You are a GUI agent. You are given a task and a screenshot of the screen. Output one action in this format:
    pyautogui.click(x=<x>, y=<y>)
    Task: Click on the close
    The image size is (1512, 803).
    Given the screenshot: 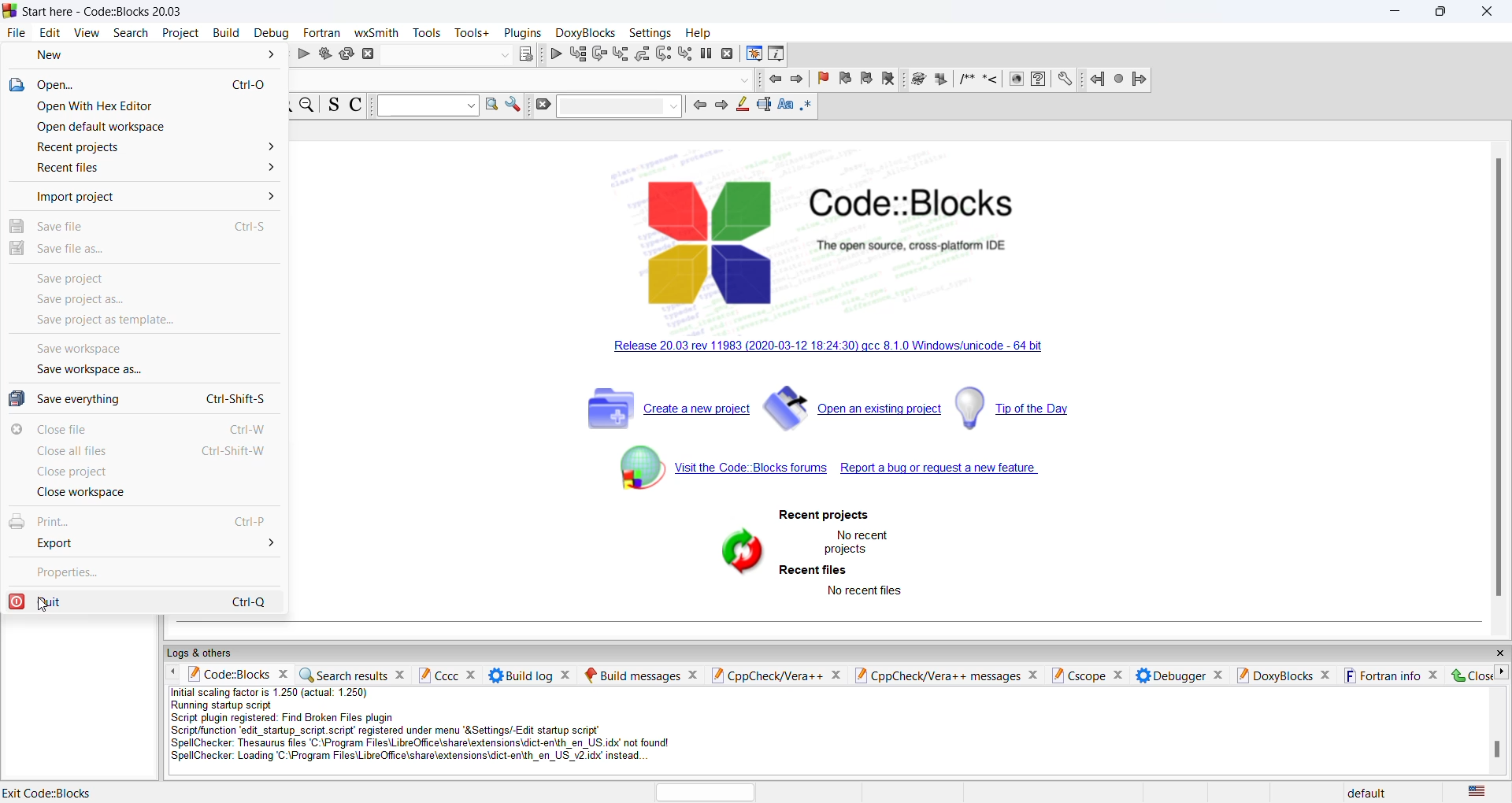 What is the action you would take?
    pyautogui.click(x=282, y=674)
    